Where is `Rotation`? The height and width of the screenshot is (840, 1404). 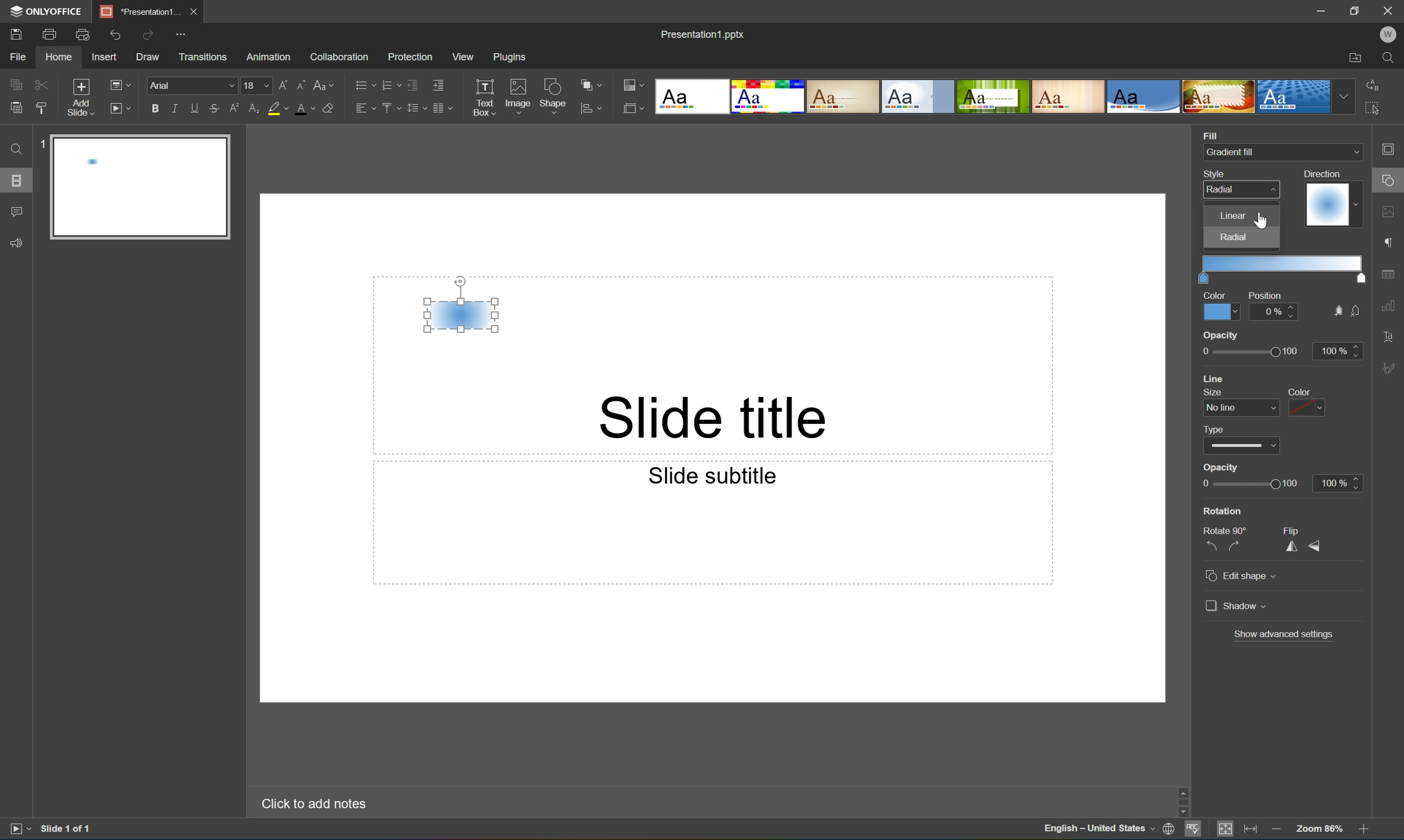 Rotation is located at coordinates (1223, 511).